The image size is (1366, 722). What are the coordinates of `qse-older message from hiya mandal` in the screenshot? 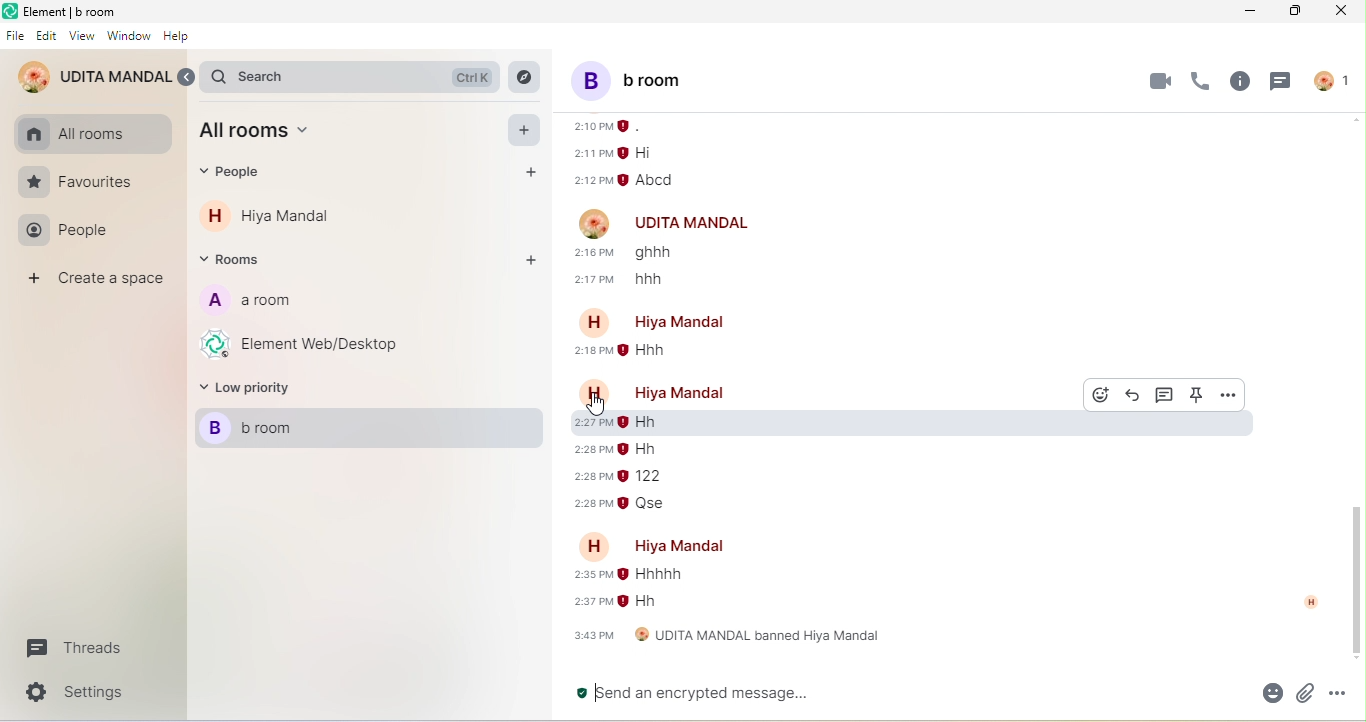 It's located at (650, 505).